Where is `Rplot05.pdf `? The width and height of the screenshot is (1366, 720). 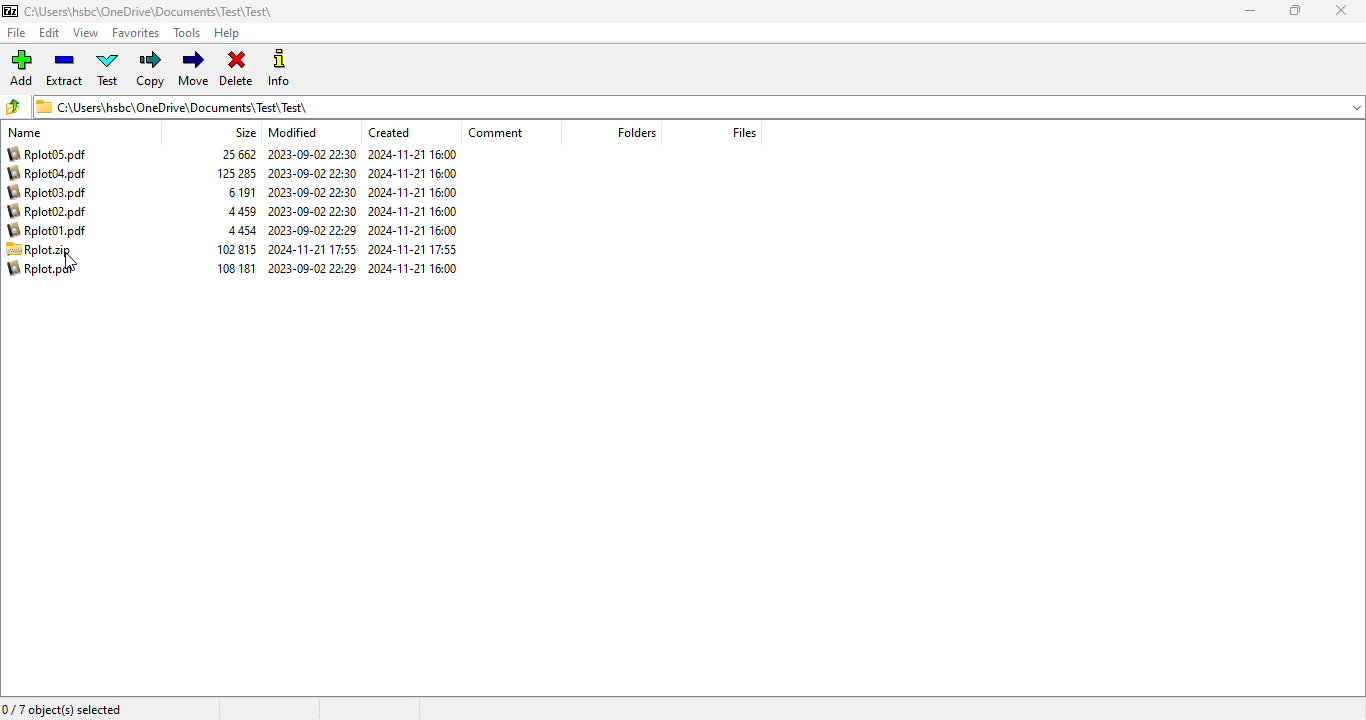 Rplot05.pdf  is located at coordinates (56, 154).